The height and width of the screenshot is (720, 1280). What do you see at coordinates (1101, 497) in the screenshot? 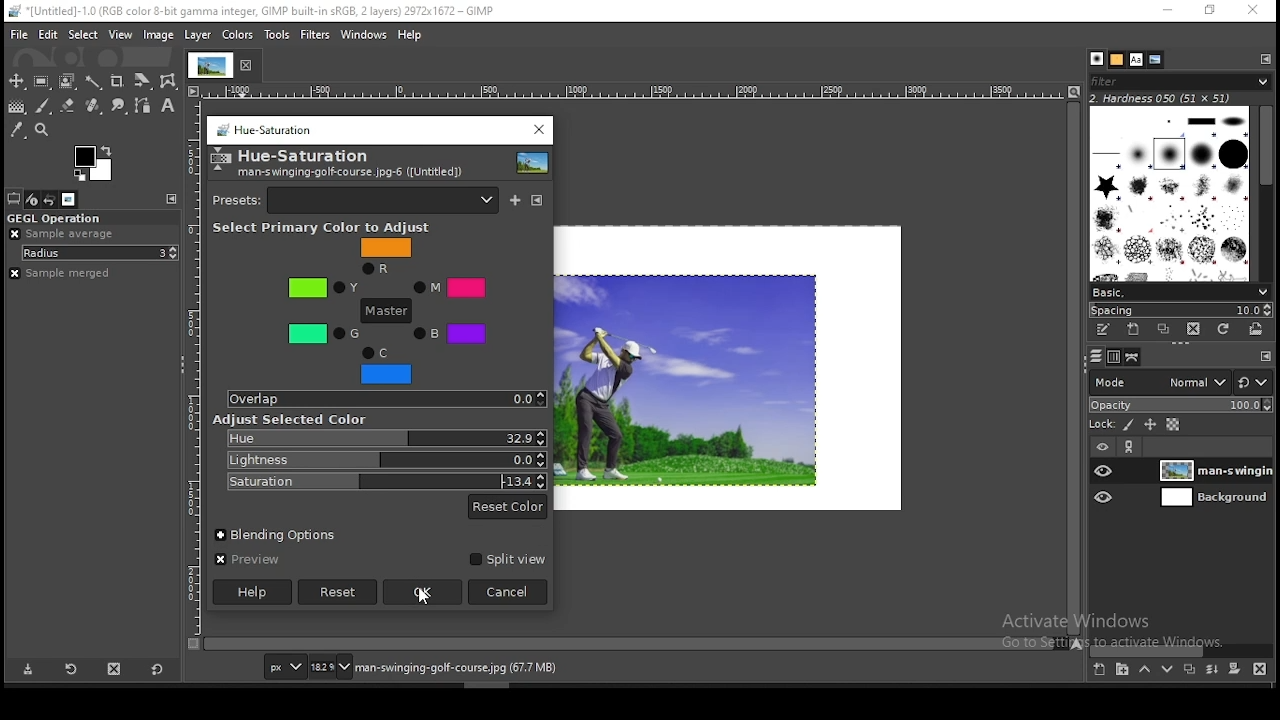
I see `layer visibility on/off` at bounding box center [1101, 497].